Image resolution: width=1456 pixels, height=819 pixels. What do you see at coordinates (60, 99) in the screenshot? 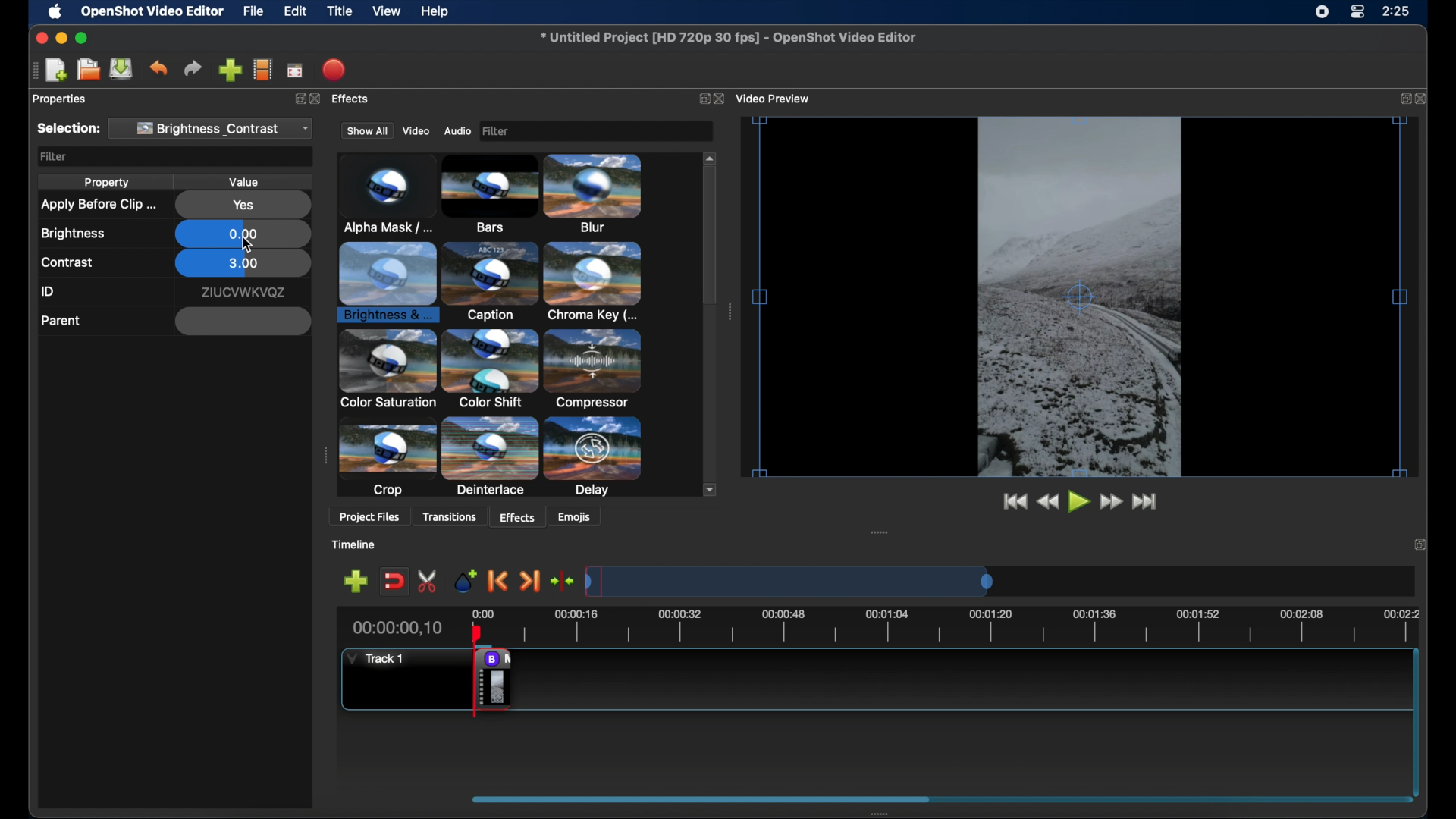
I see `properties` at bounding box center [60, 99].